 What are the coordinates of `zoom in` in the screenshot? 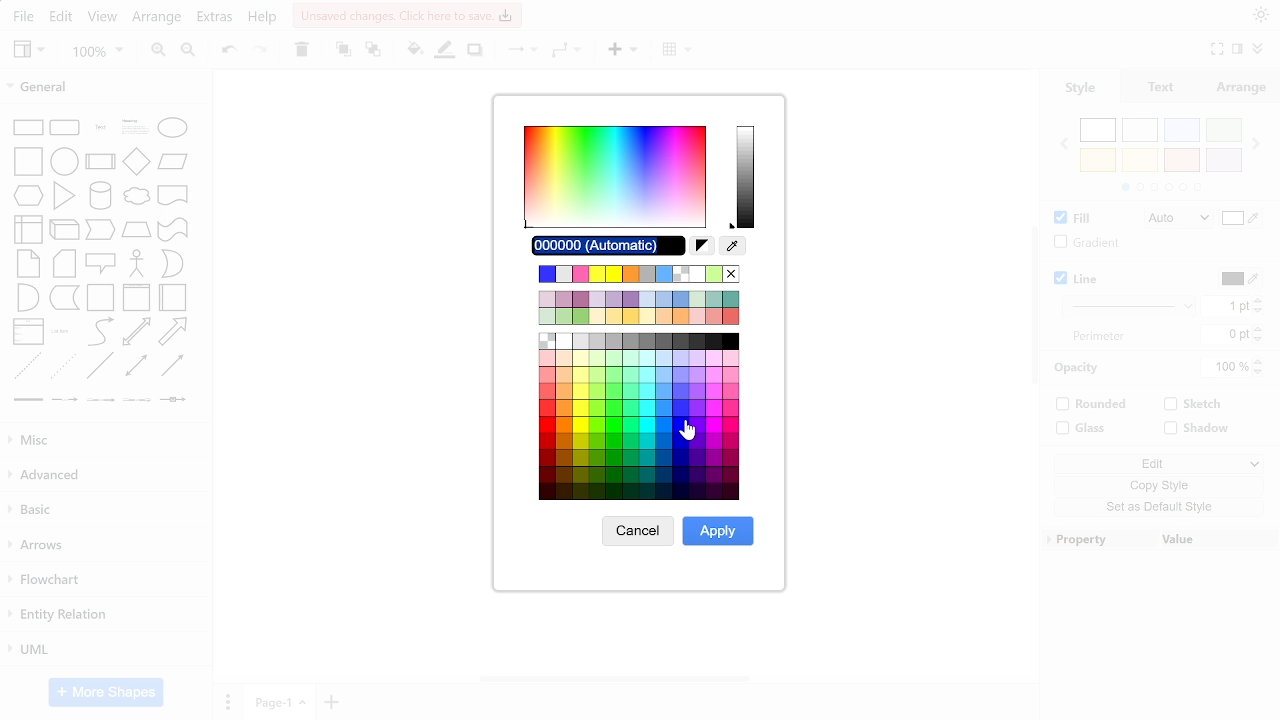 It's located at (155, 52).